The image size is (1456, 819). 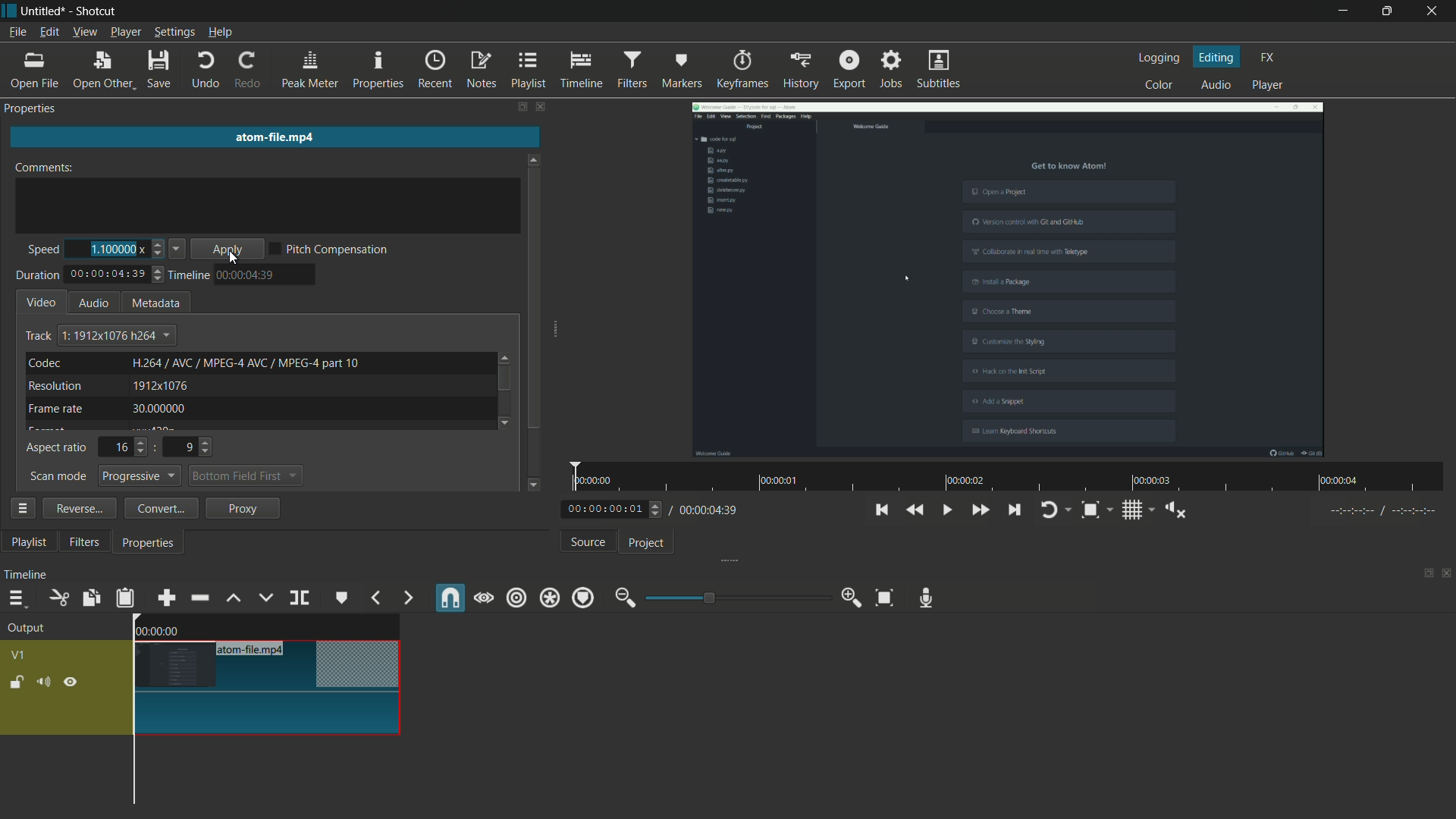 I want to click on zoom out, so click(x=626, y=598).